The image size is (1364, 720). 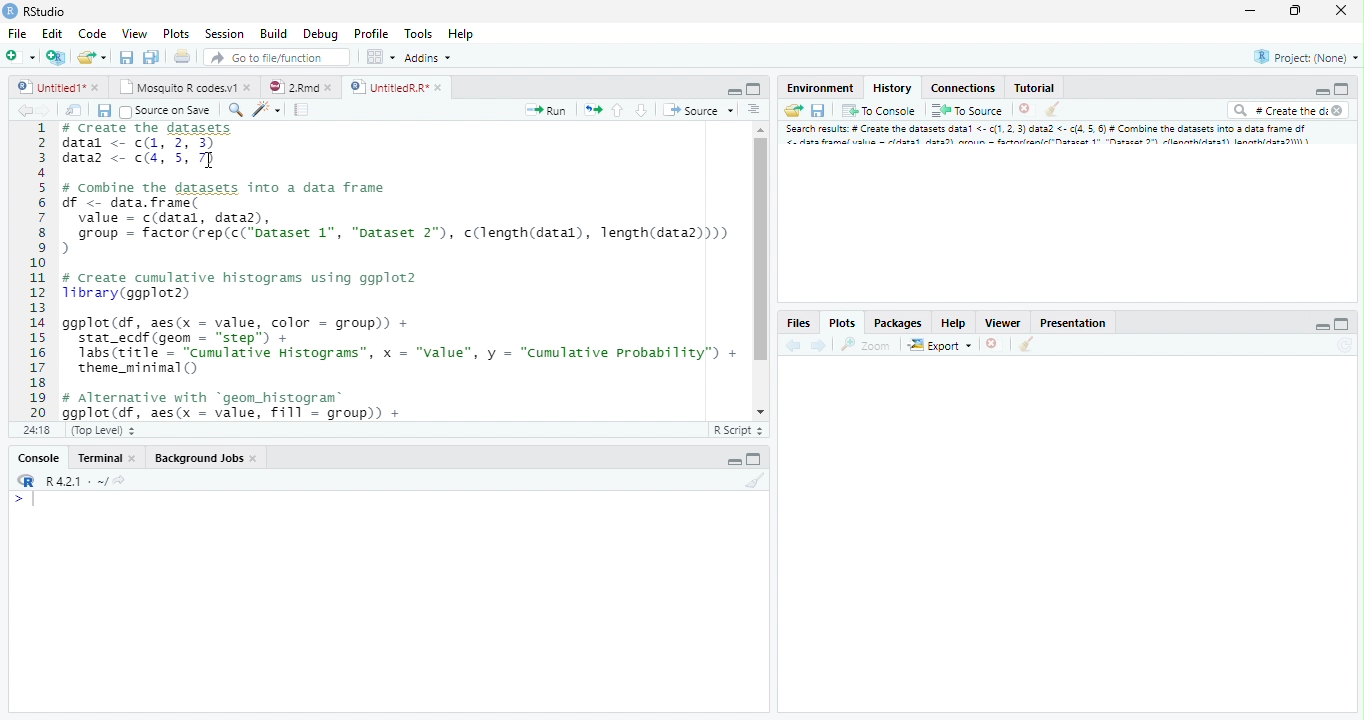 I want to click on Maximize, so click(x=1340, y=90).